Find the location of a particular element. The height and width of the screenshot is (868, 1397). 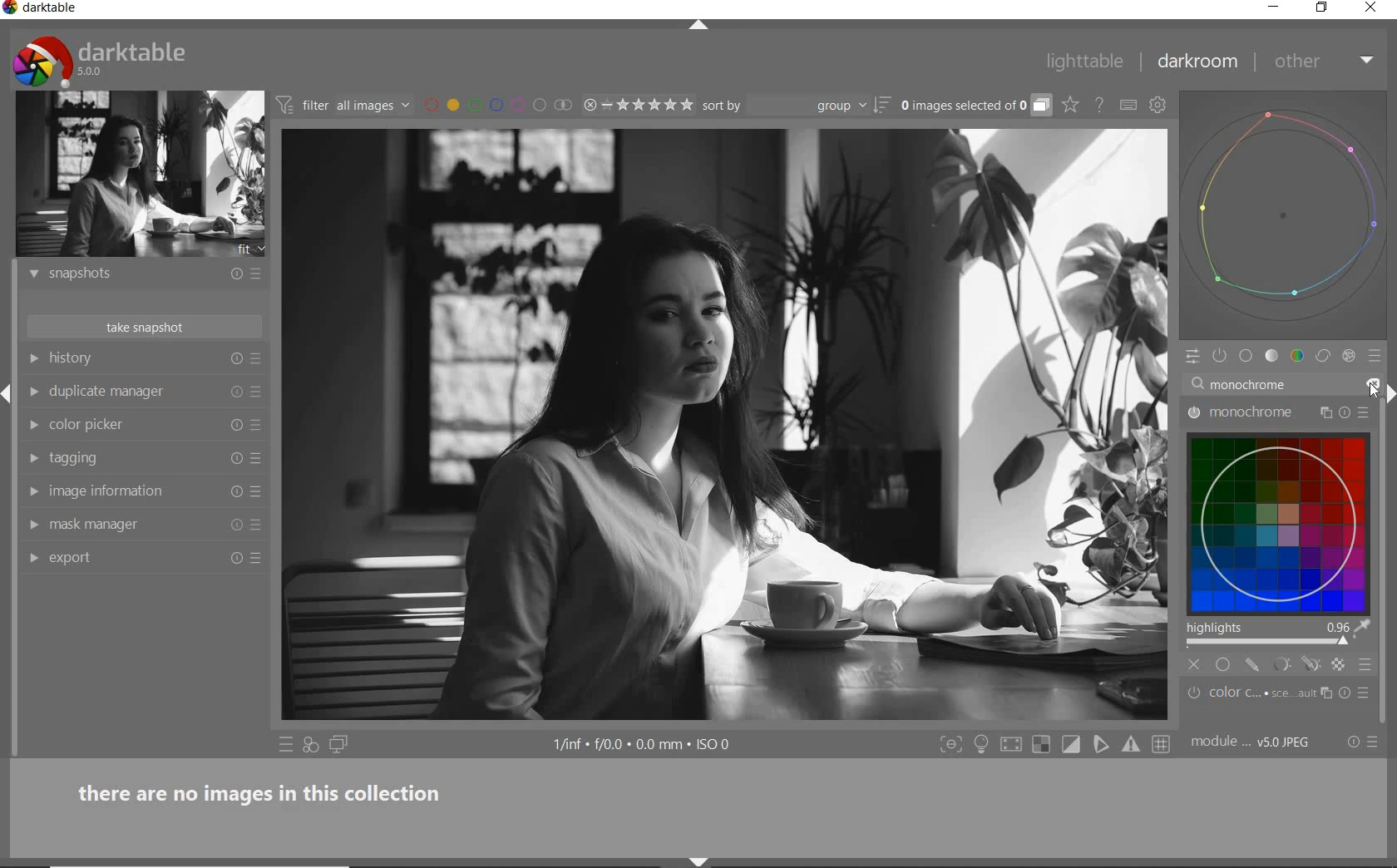

monochrome map is located at coordinates (1282, 517).